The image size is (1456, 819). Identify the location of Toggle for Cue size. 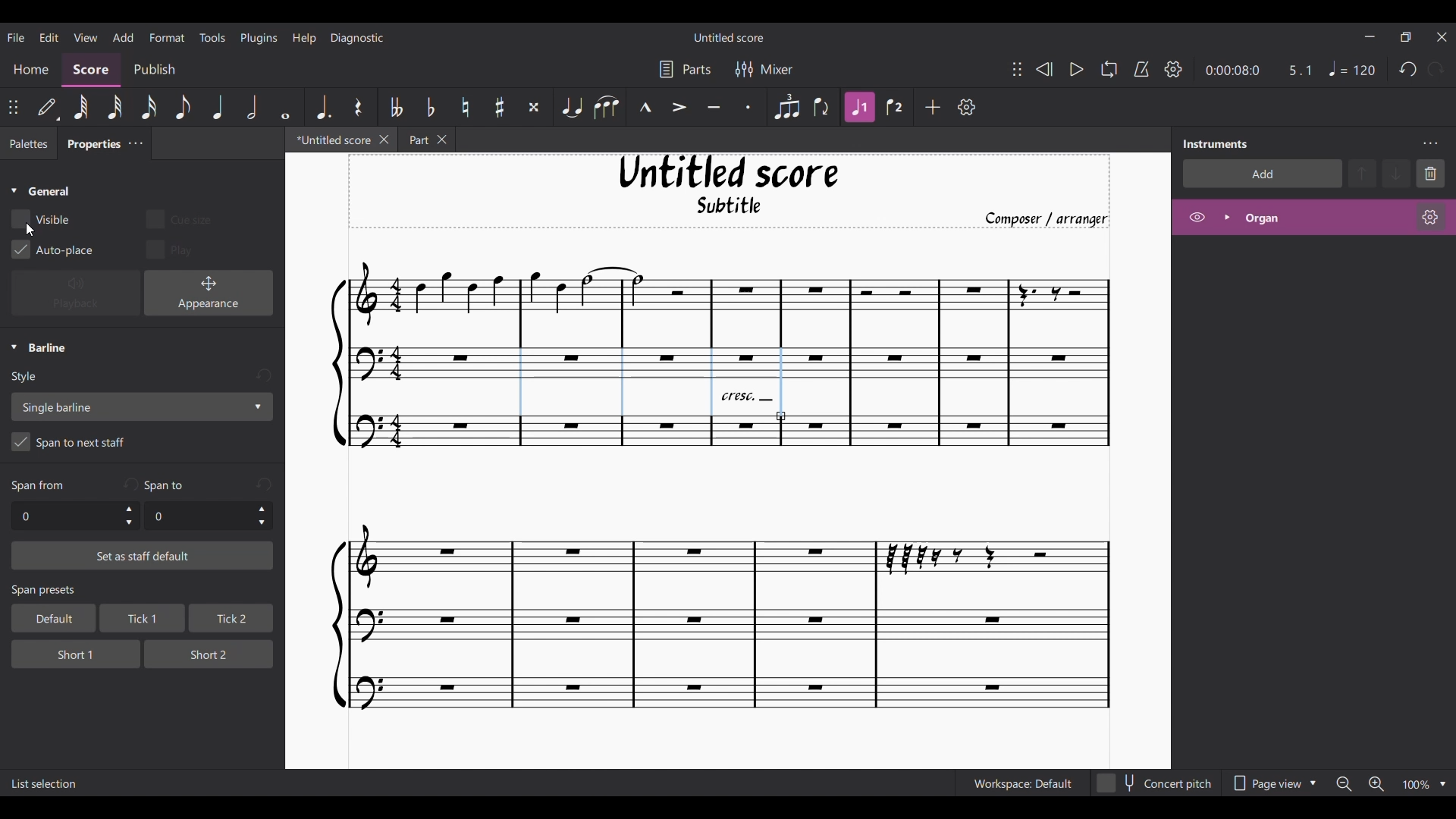
(174, 216).